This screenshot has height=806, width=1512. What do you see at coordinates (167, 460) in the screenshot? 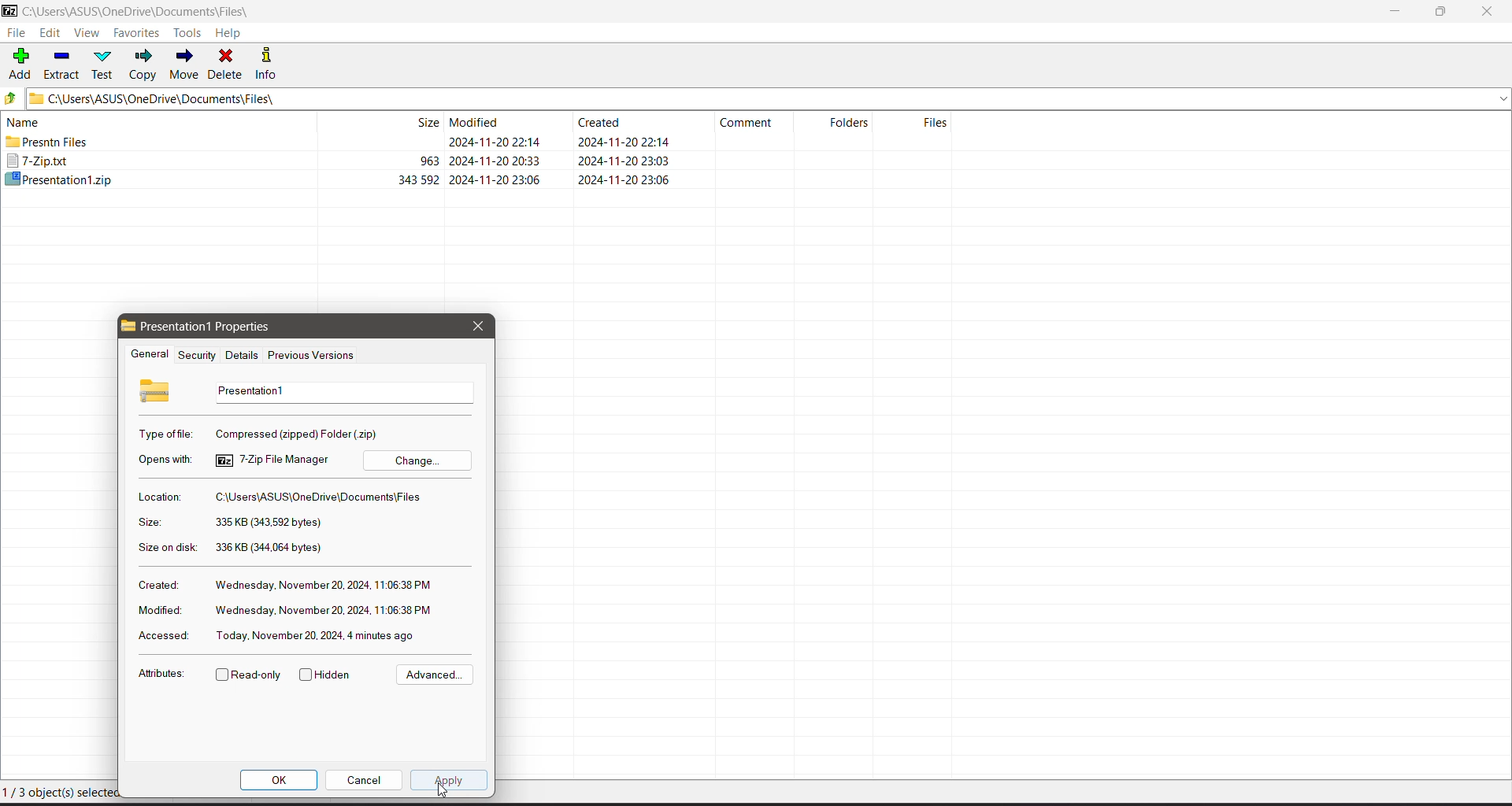
I see `Opens with` at bounding box center [167, 460].